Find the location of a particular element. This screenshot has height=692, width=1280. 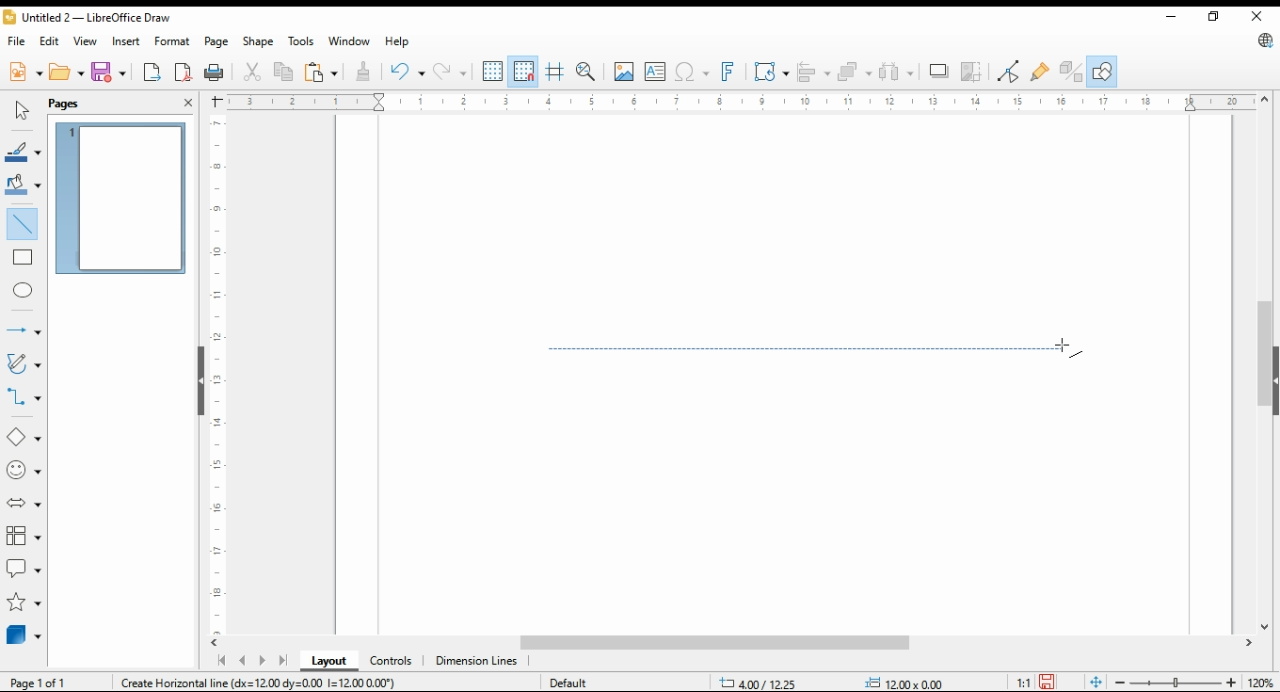

redo is located at coordinates (449, 71).